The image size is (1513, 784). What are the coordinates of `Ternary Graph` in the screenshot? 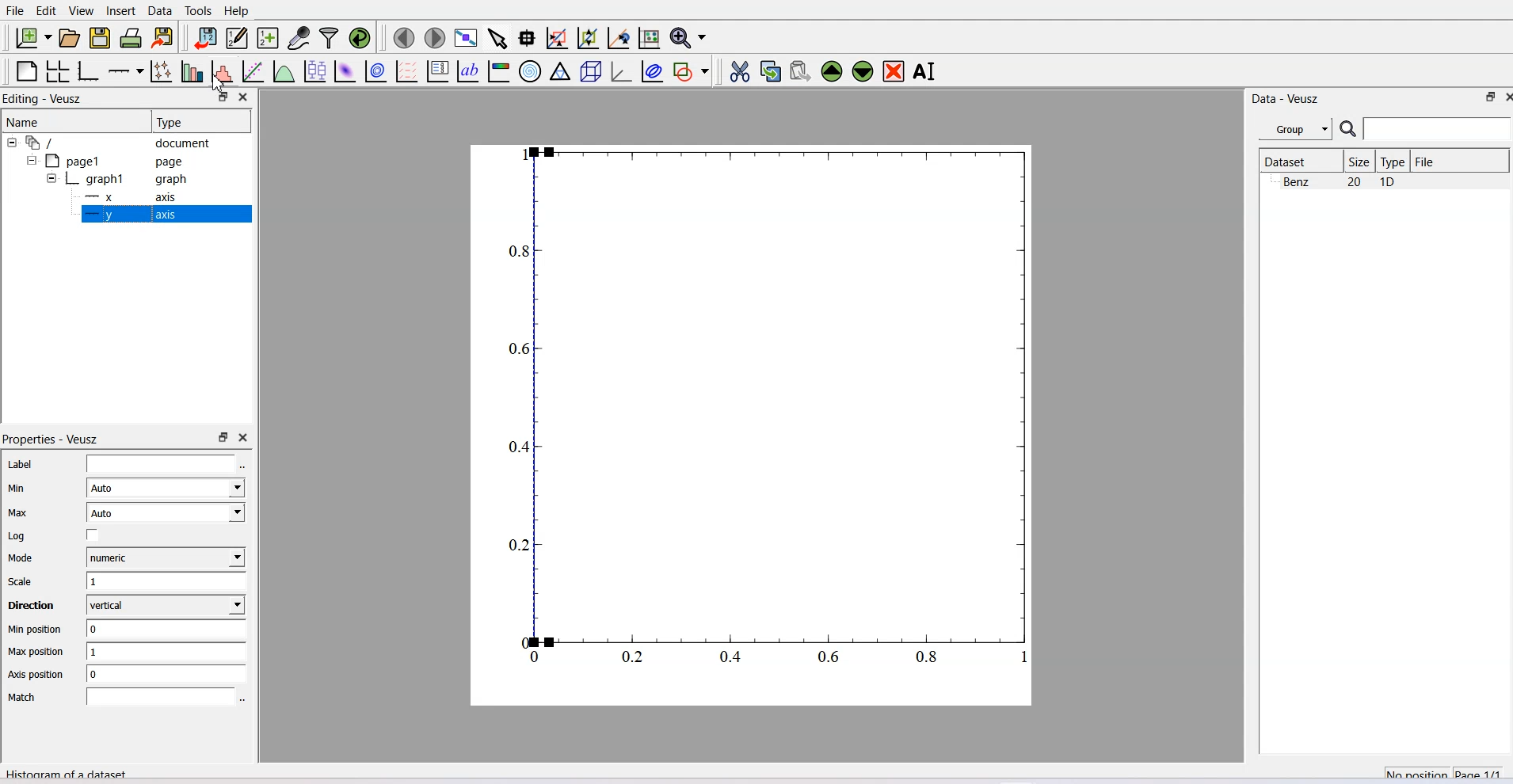 It's located at (560, 72).